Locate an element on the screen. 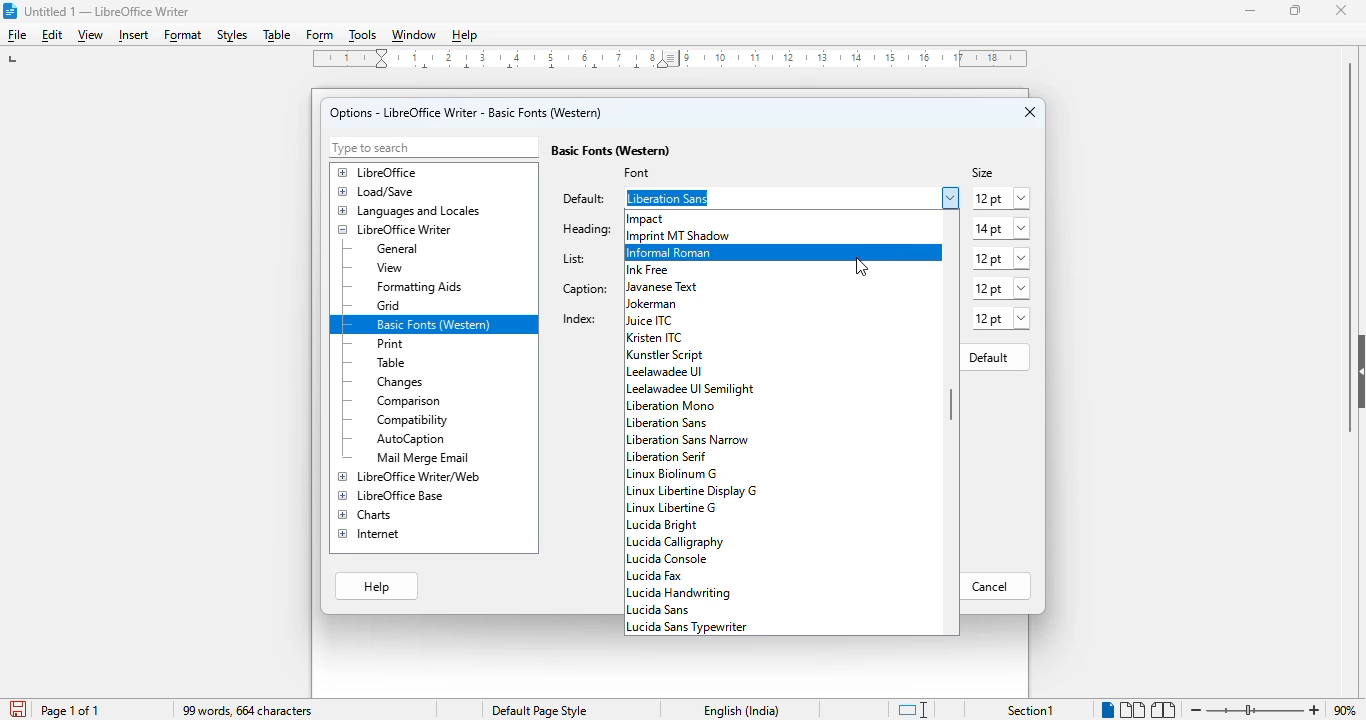 The height and width of the screenshot is (720, 1366). file is located at coordinates (16, 35).